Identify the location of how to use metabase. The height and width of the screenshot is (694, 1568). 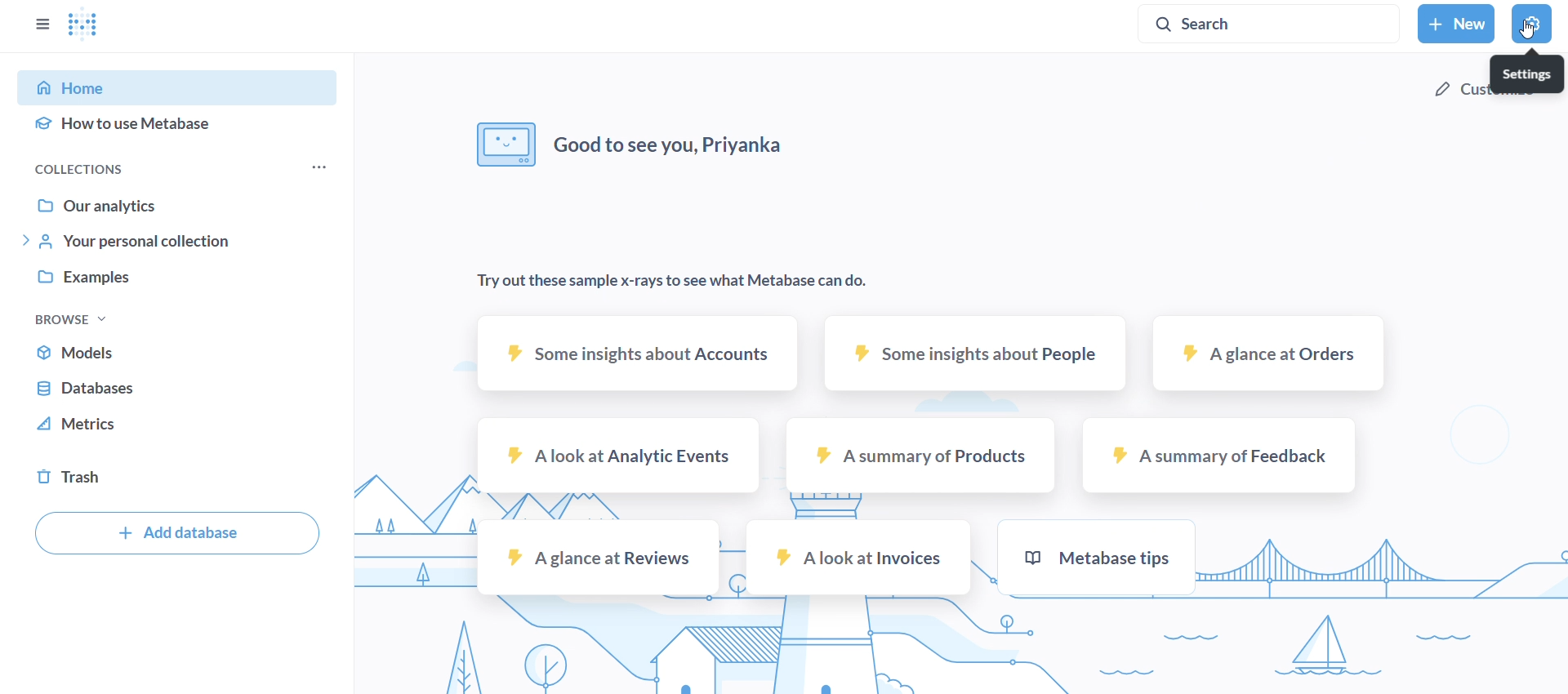
(178, 128).